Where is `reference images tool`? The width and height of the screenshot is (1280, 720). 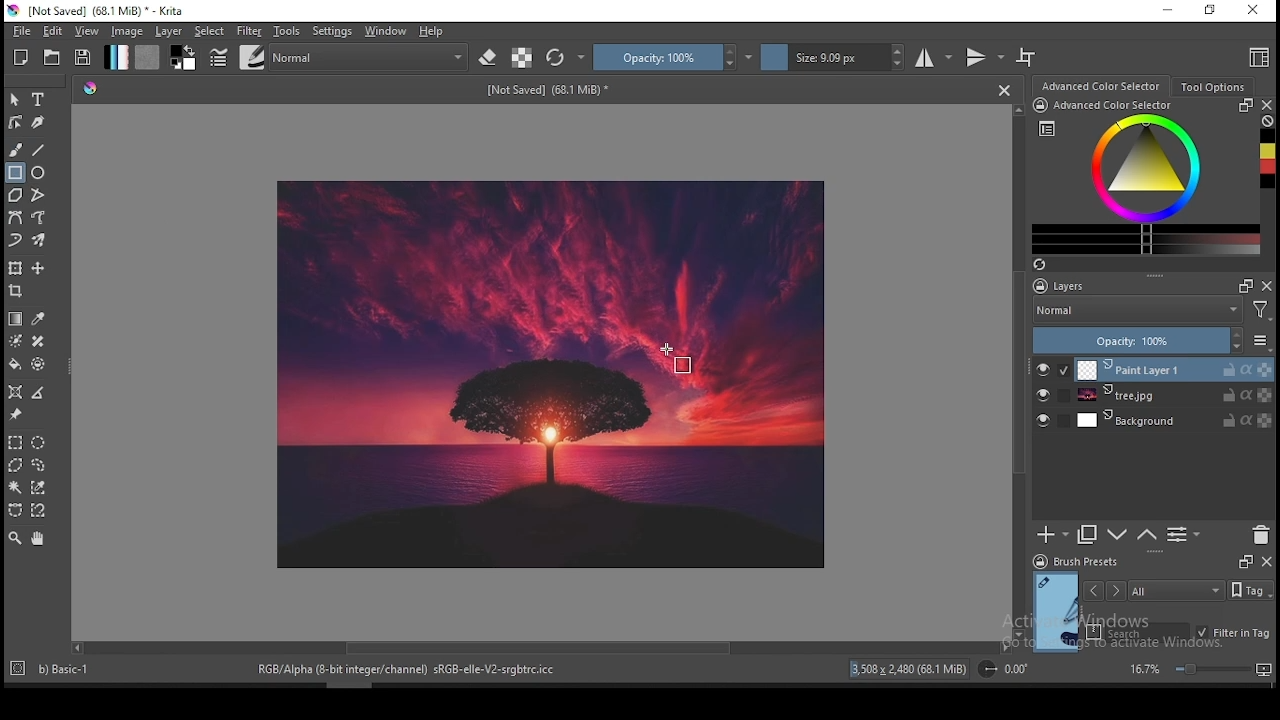
reference images tool is located at coordinates (16, 415).